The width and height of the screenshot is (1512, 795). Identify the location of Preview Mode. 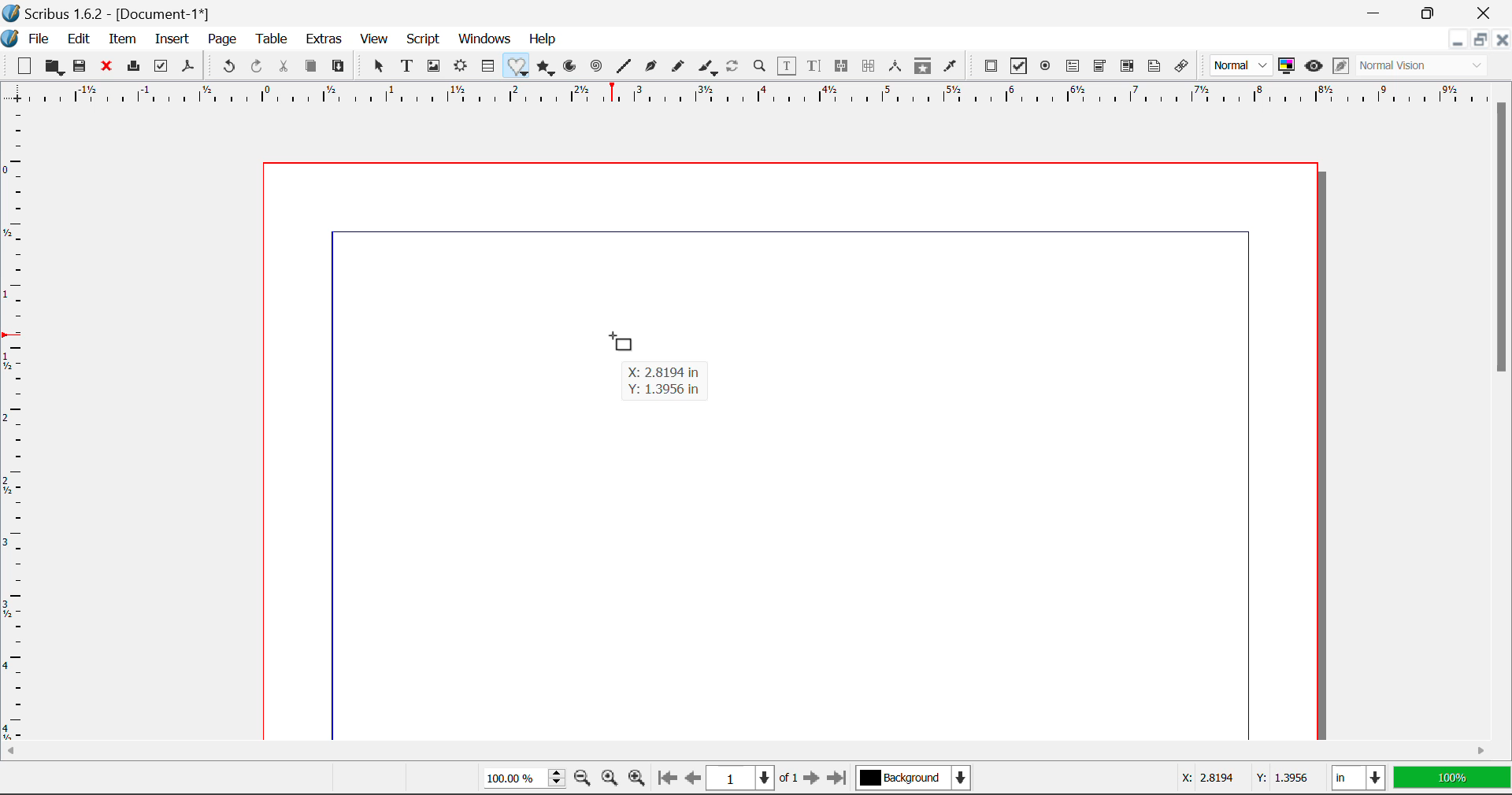
(1314, 68).